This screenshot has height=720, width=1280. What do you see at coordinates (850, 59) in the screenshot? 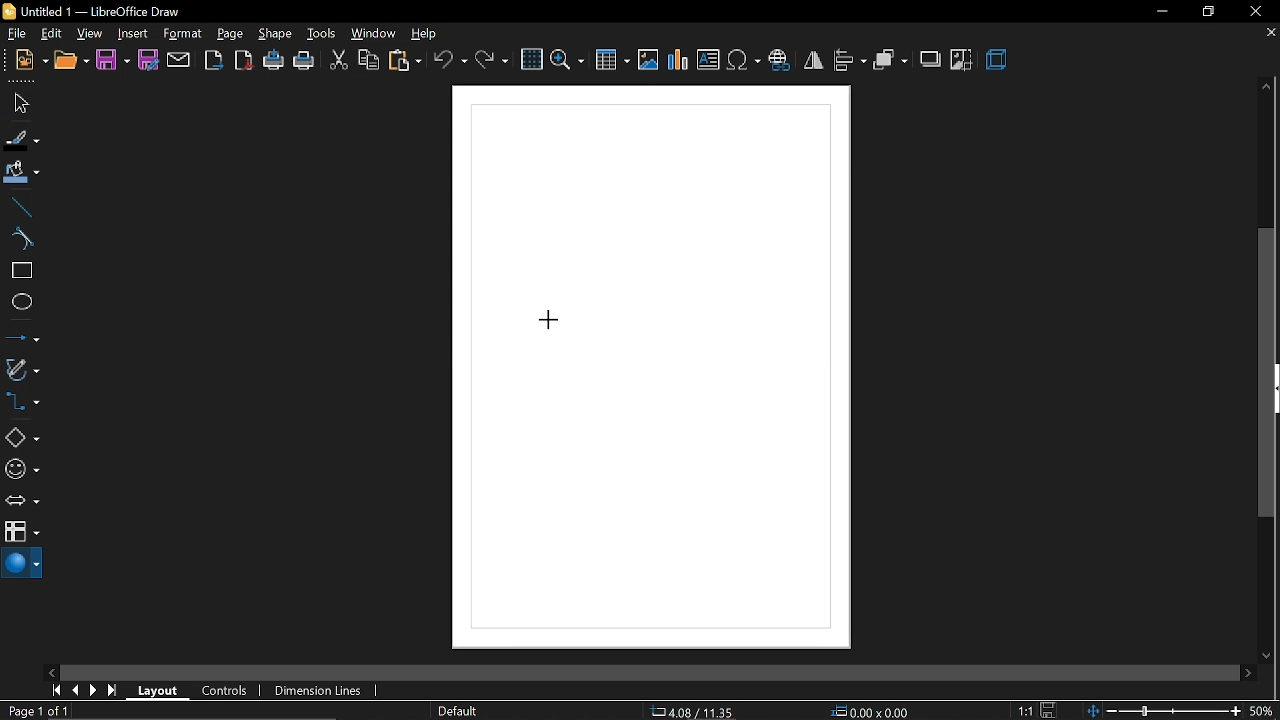
I see `align` at bounding box center [850, 59].